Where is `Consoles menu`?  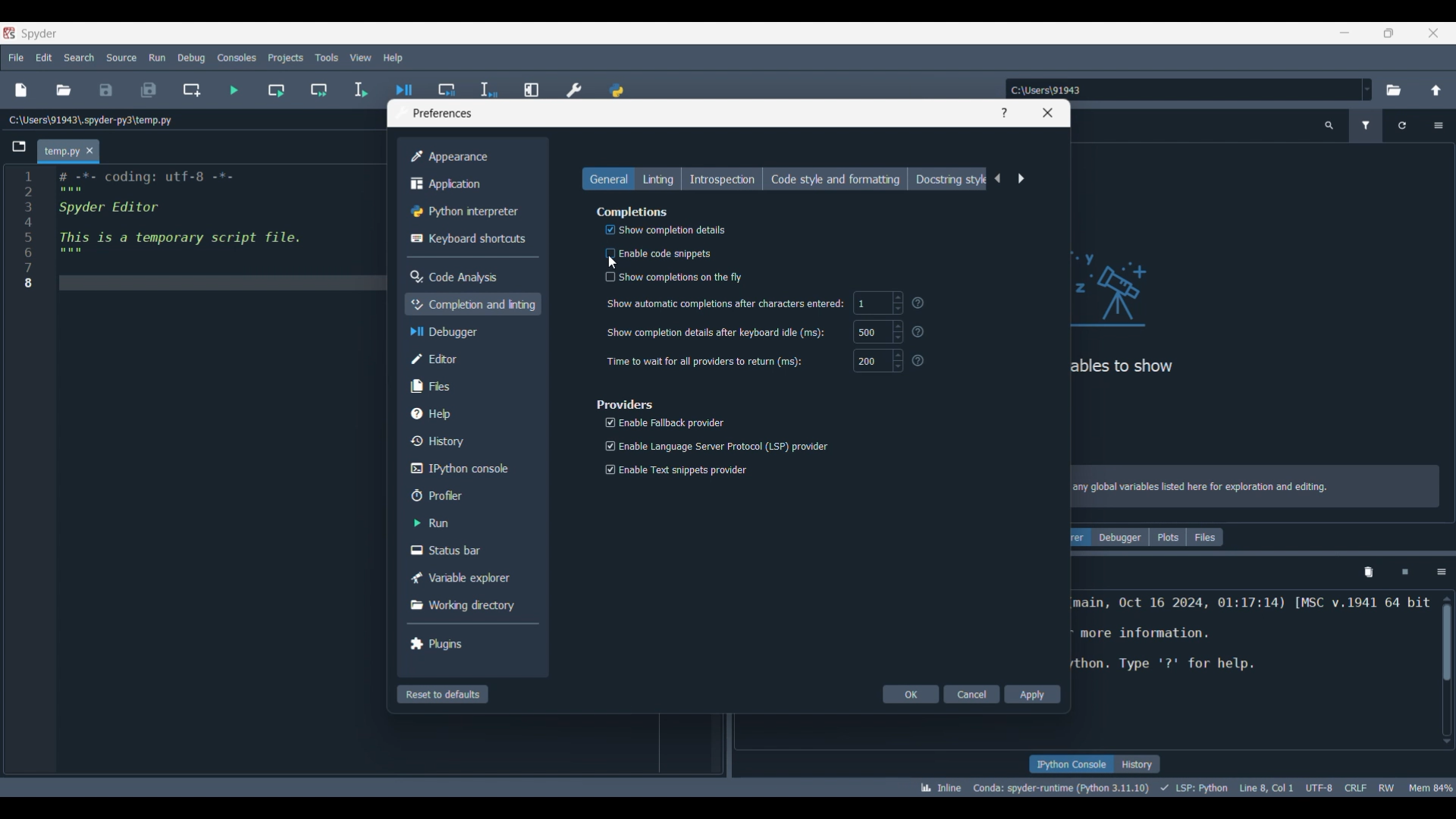
Consoles menu is located at coordinates (237, 58).